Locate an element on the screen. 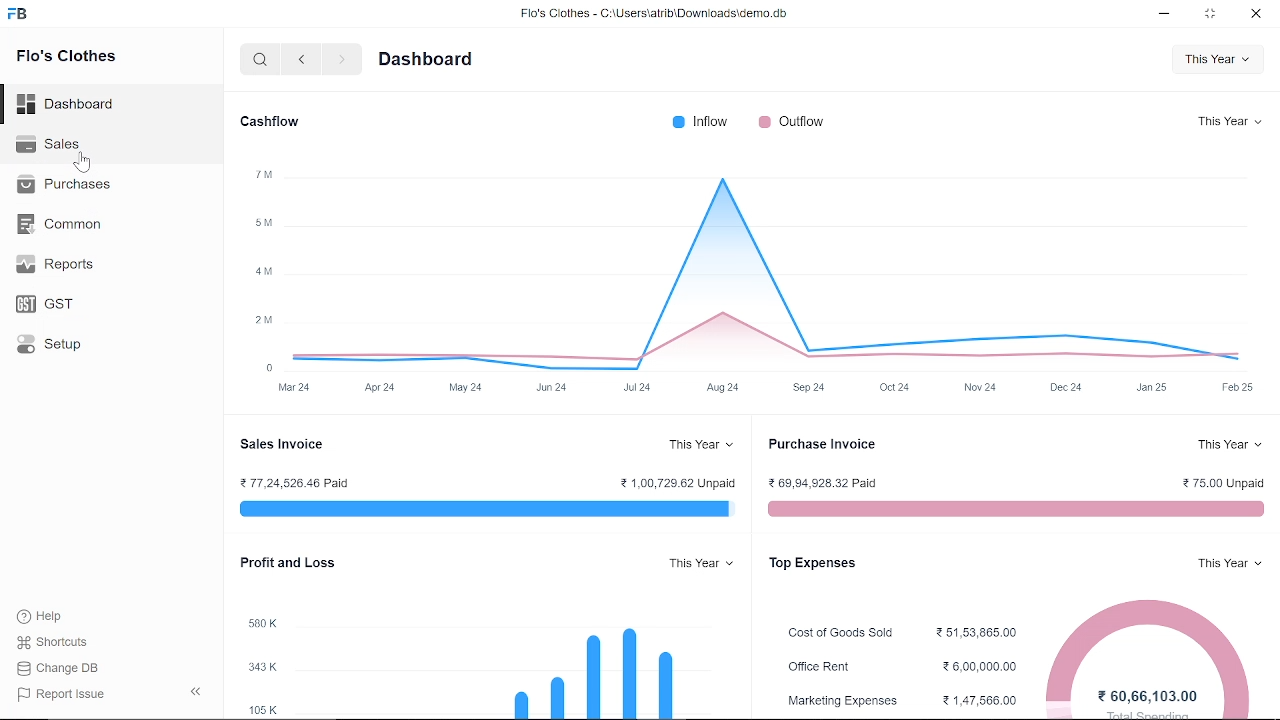  pie chart is located at coordinates (1150, 657).